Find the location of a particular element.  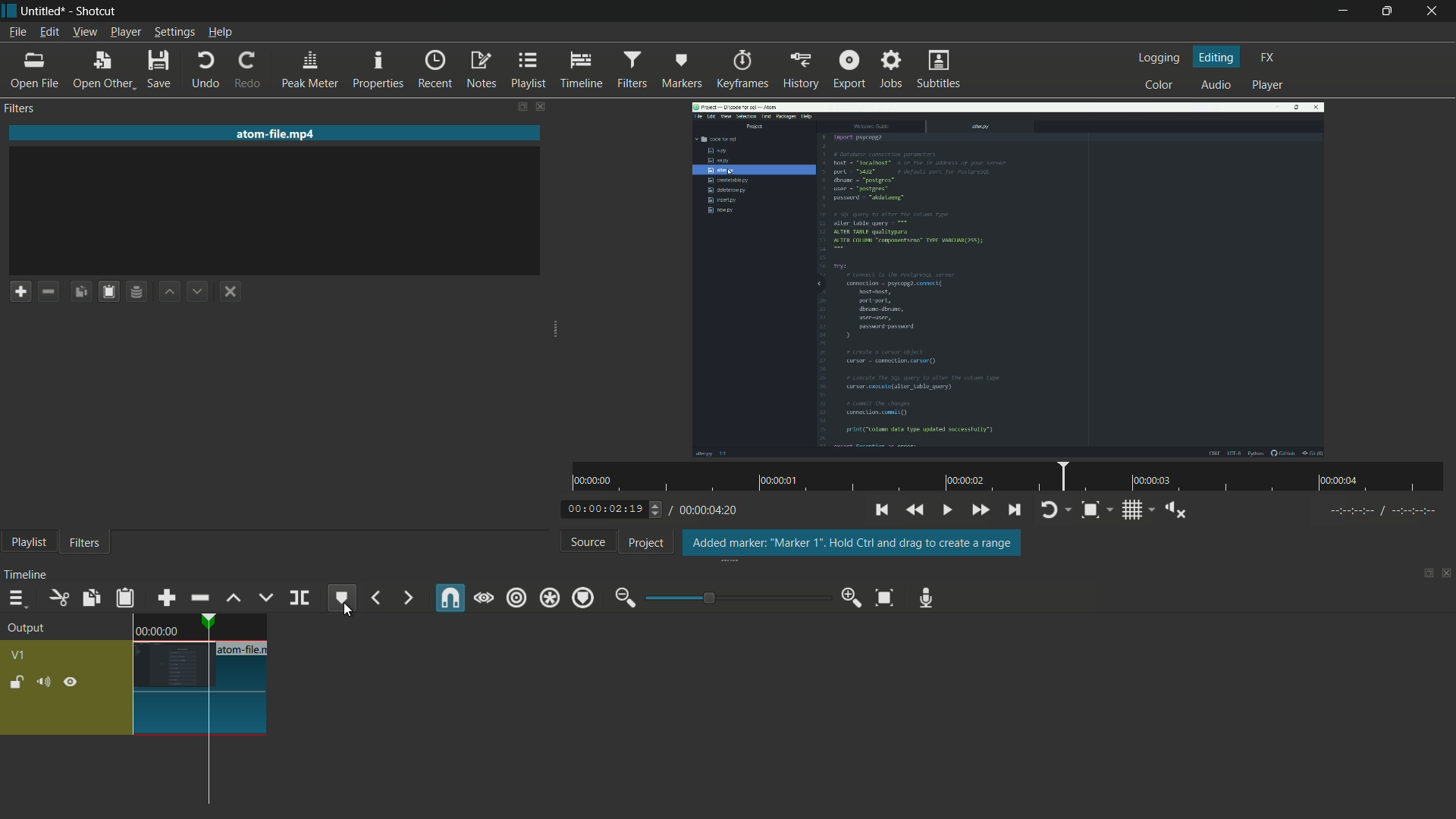

zoom timeline to fit is located at coordinates (883, 598).